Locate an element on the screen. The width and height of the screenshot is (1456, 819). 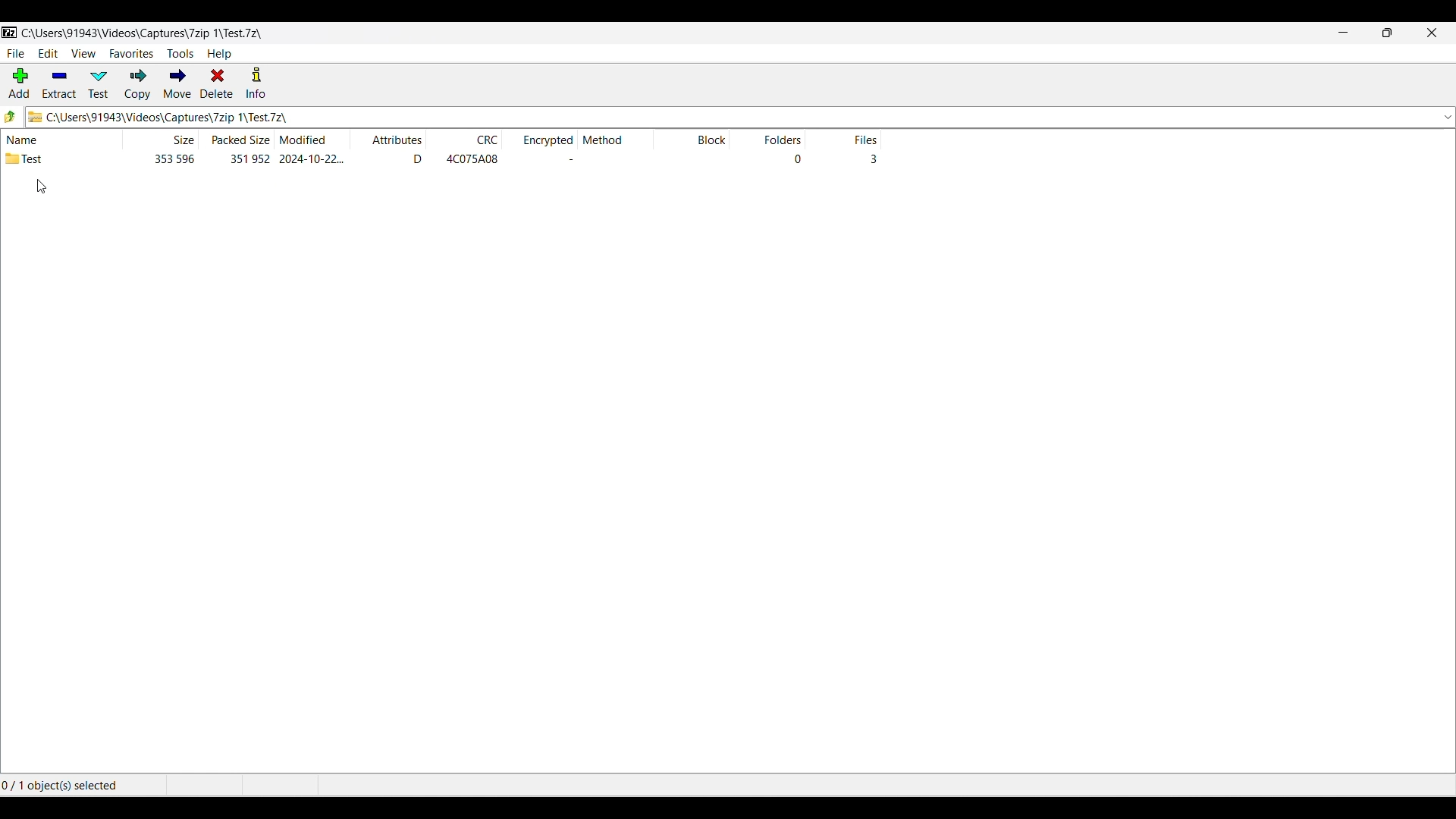
Block column is located at coordinates (708, 138).